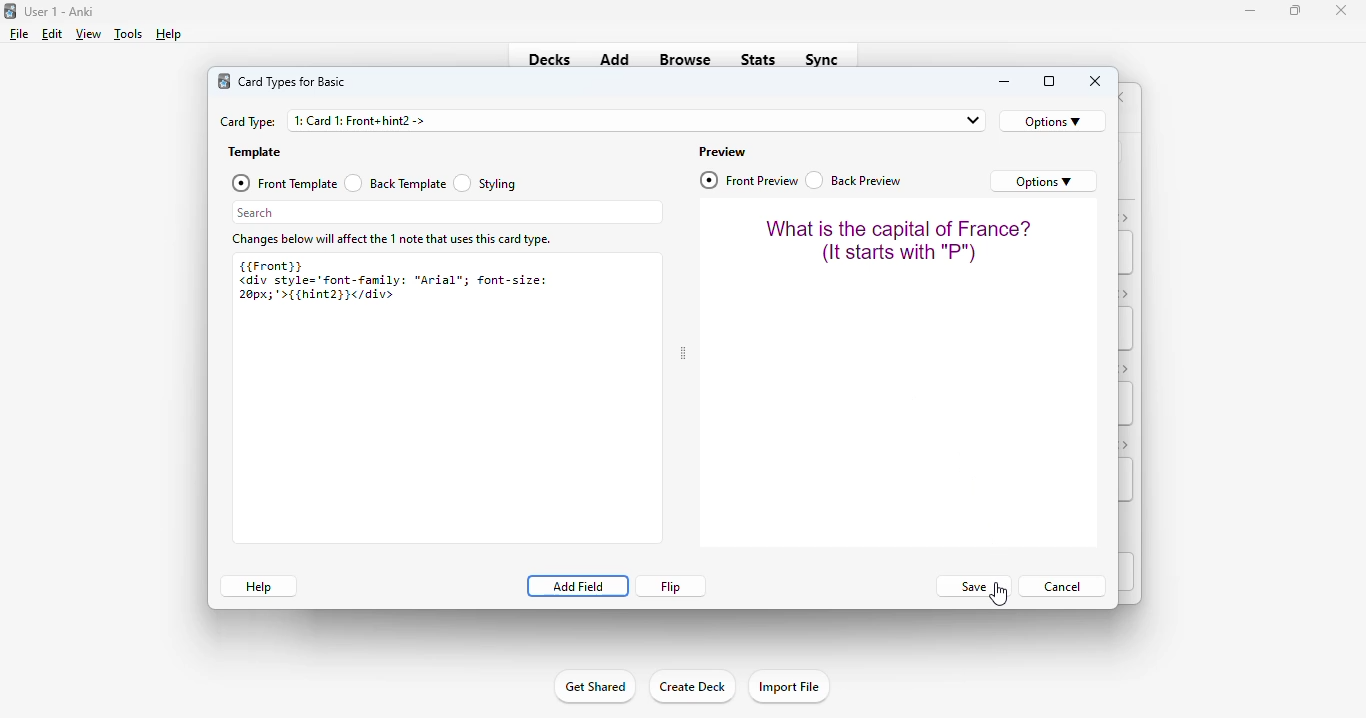  Describe the element at coordinates (1053, 121) in the screenshot. I see `options` at that location.